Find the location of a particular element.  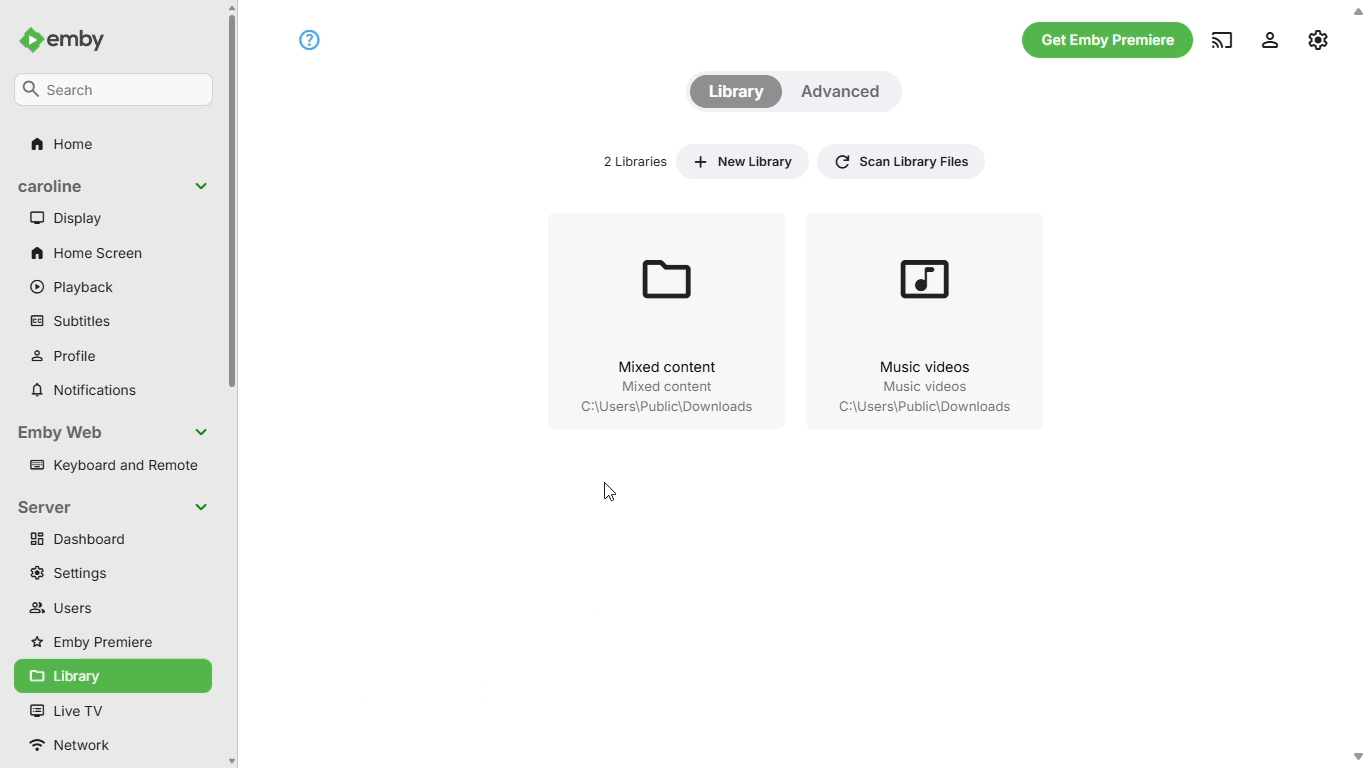

caroline is located at coordinates (53, 186).